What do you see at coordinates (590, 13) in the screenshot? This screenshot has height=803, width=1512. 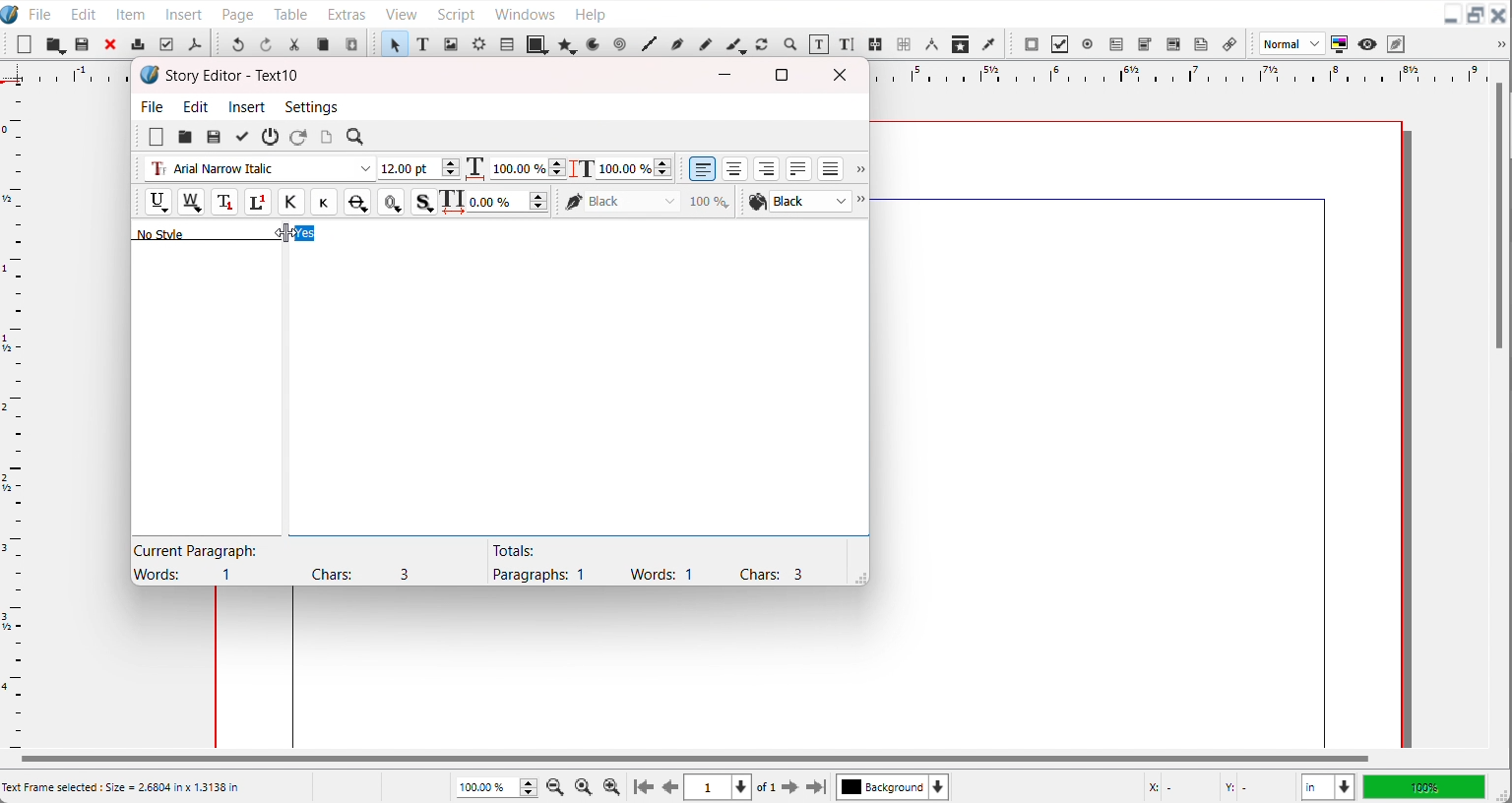 I see `Help` at bounding box center [590, 13].